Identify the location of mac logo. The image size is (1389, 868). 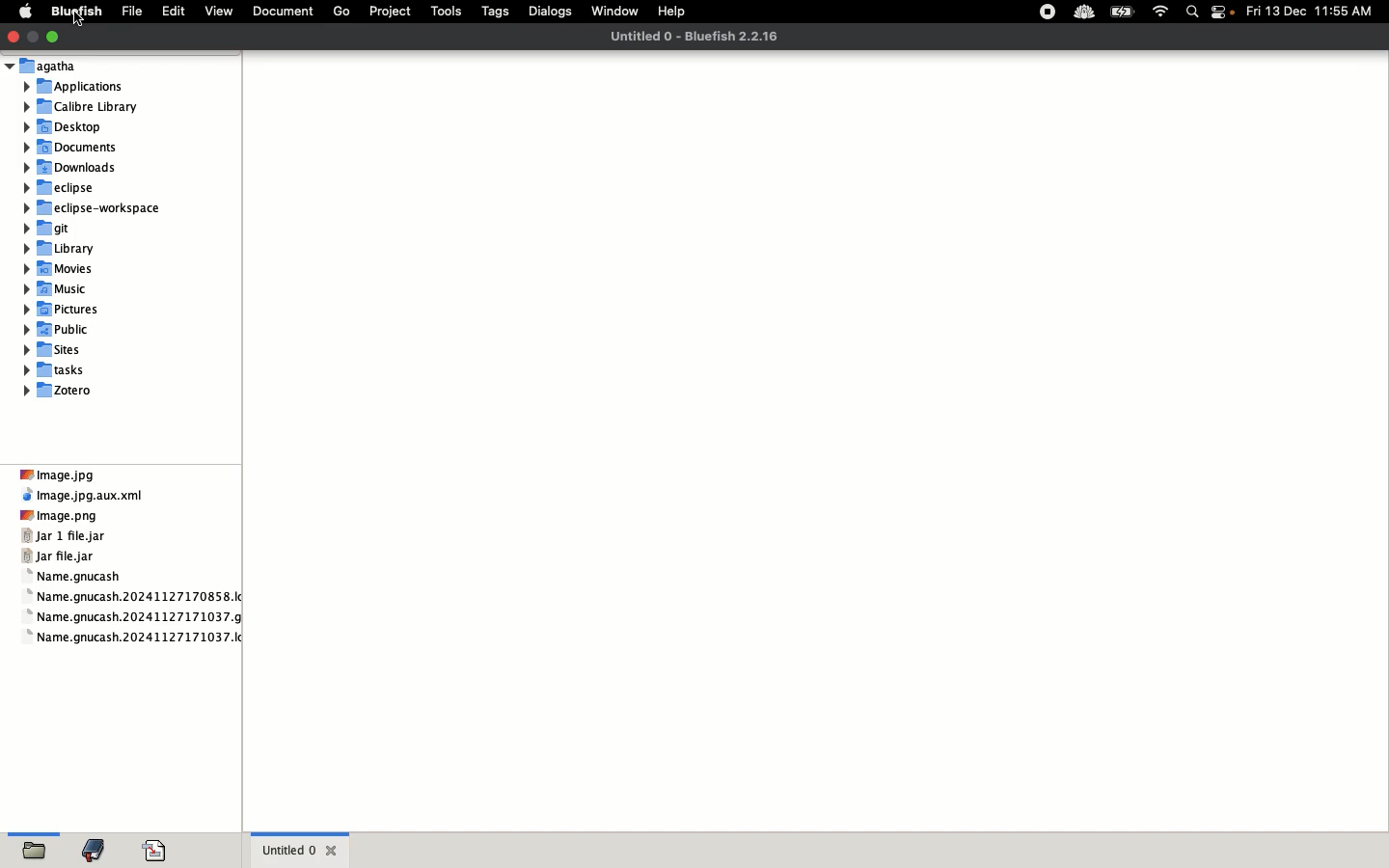
(25, 10).